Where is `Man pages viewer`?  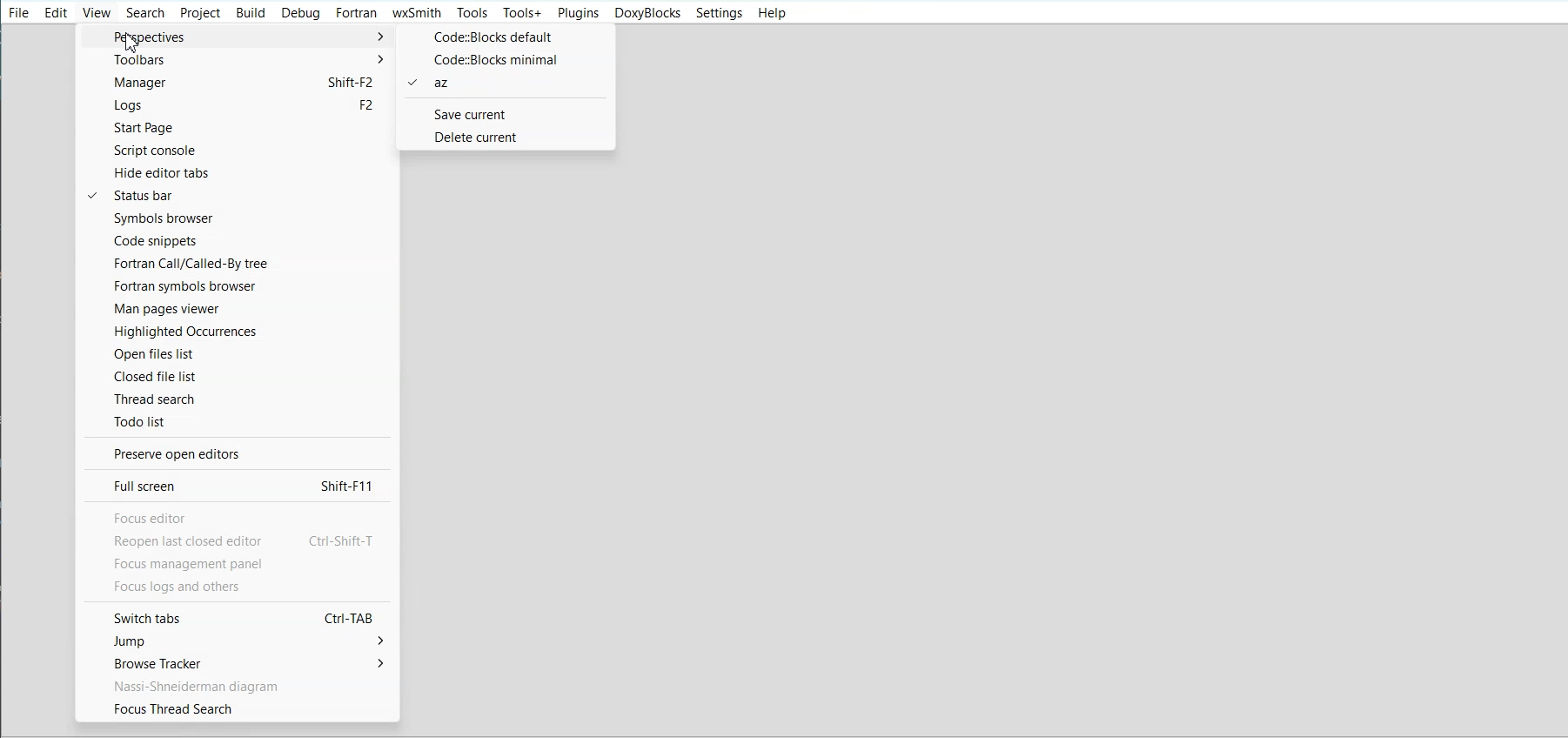
Man pages viewer is located at coordinates (236, 308).